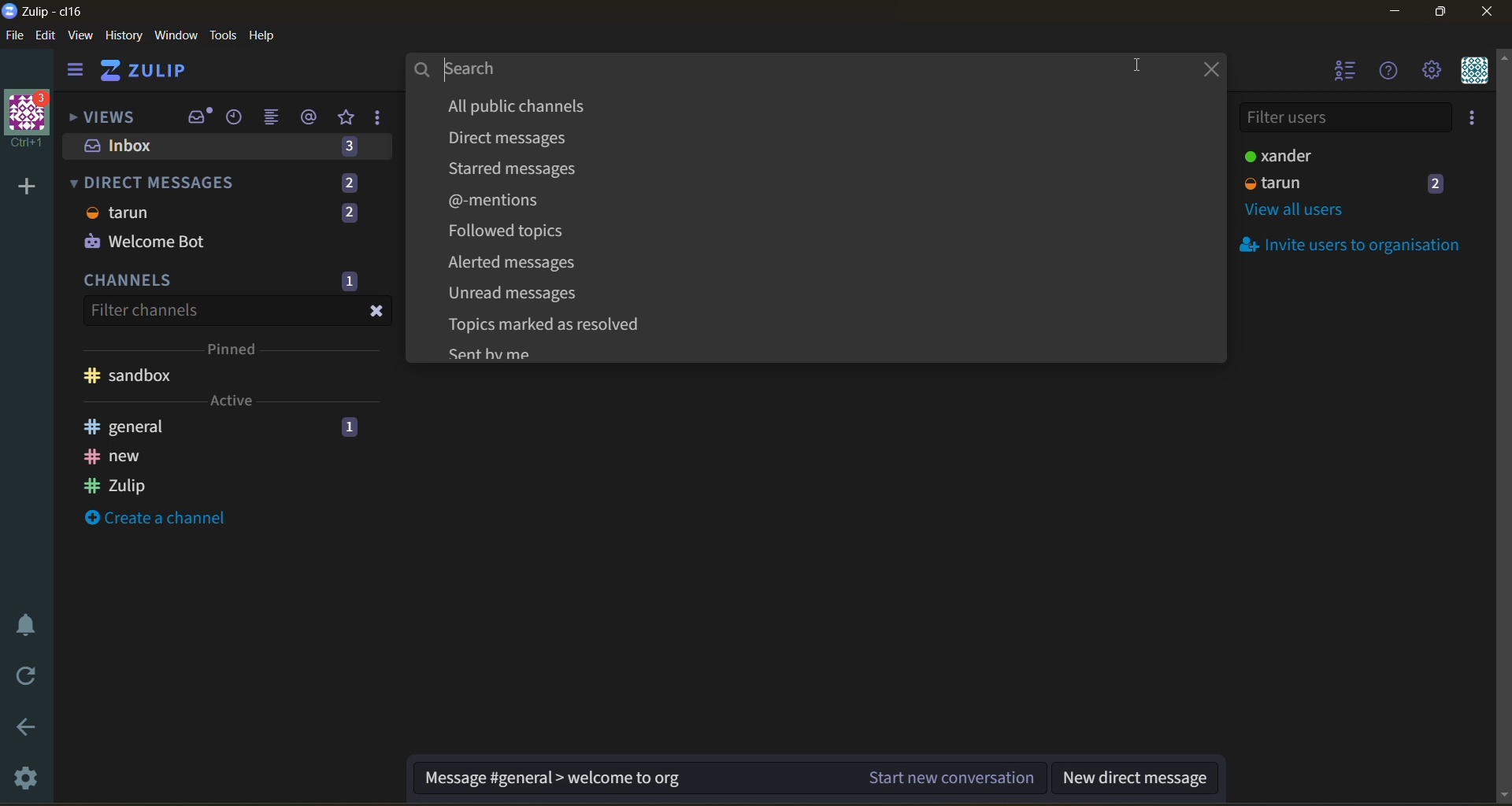 This screenshot has height=806, width=1512. I want to click on 2, so click(348, 214).